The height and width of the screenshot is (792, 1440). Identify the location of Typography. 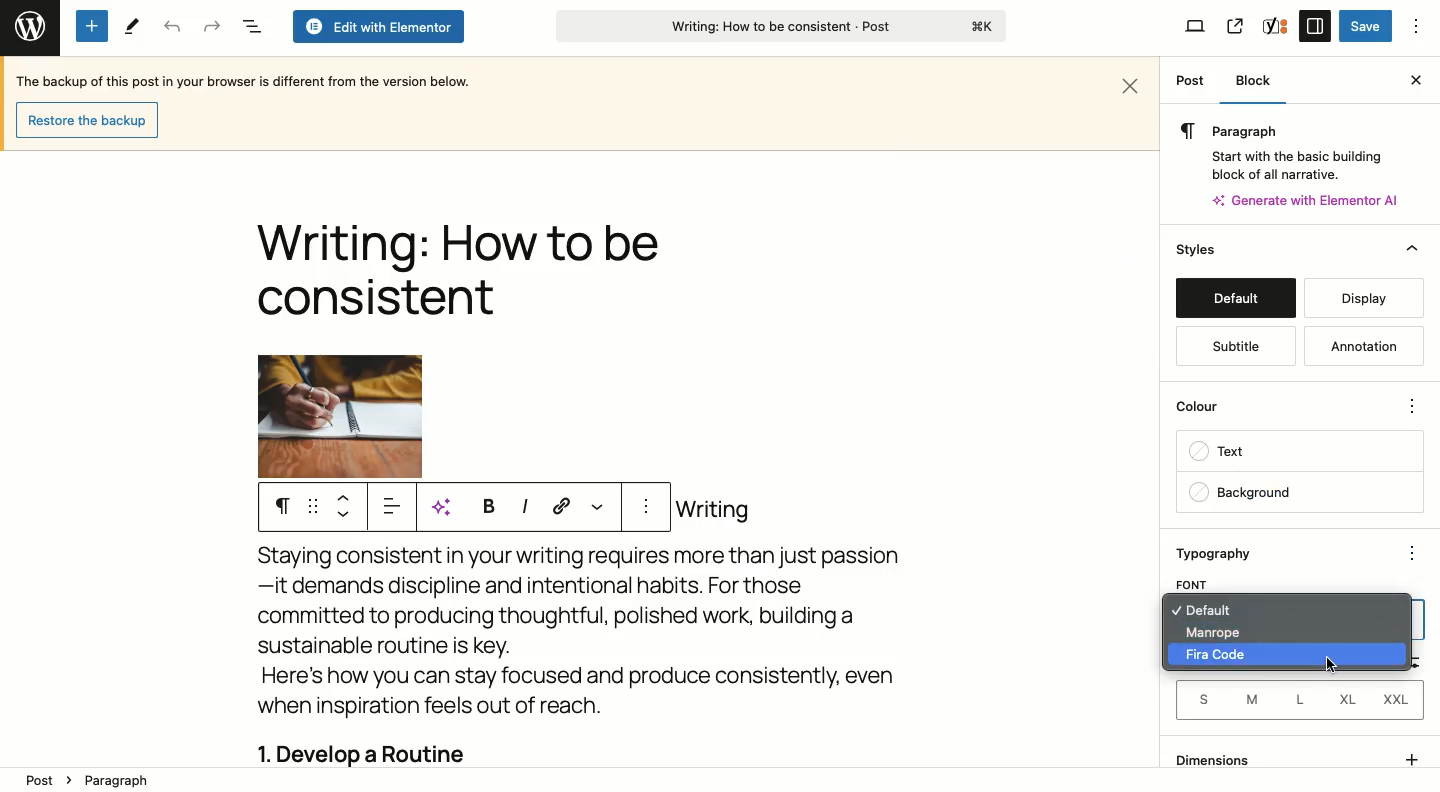
(1226, 553).